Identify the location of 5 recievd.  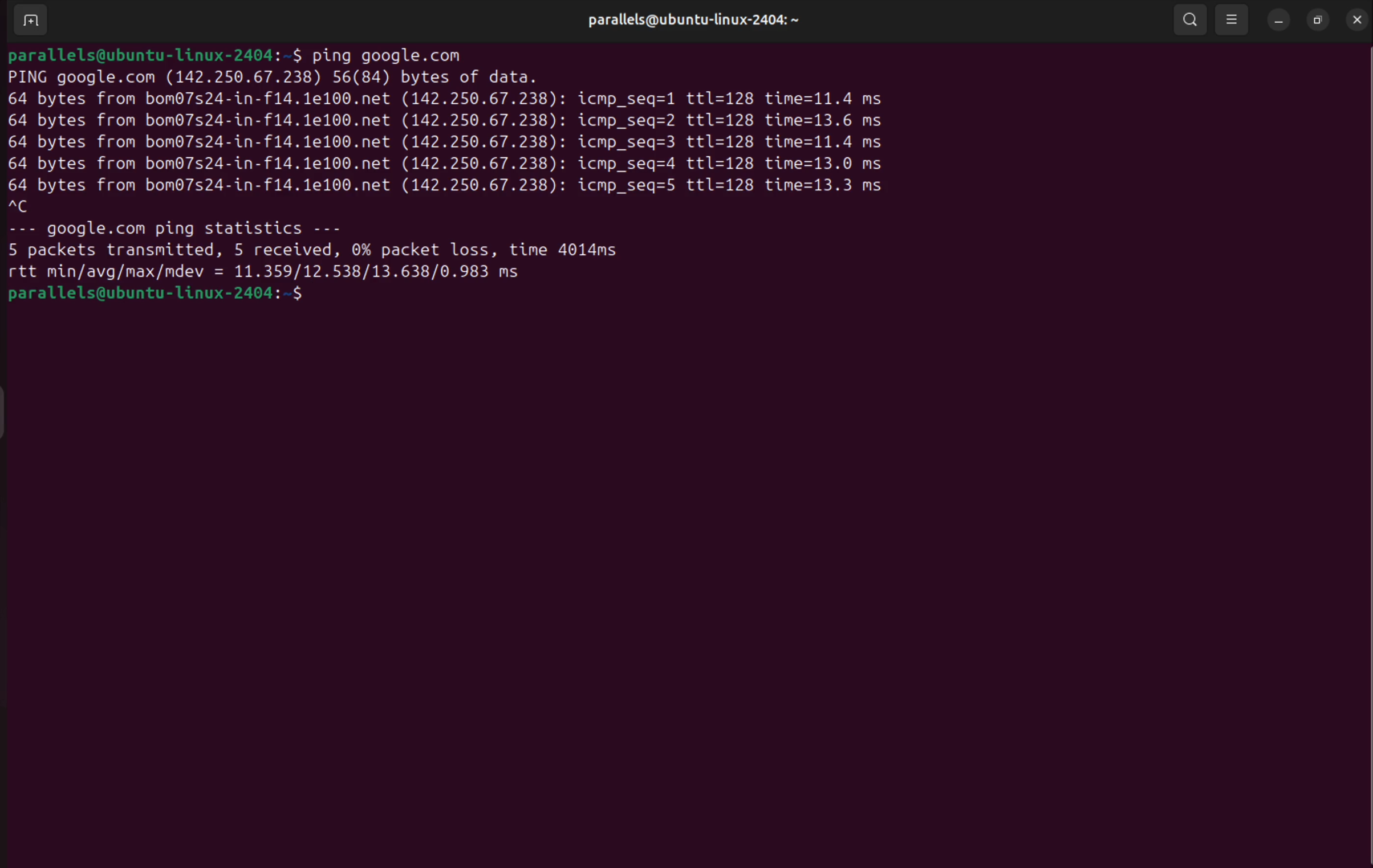
(287, 252).